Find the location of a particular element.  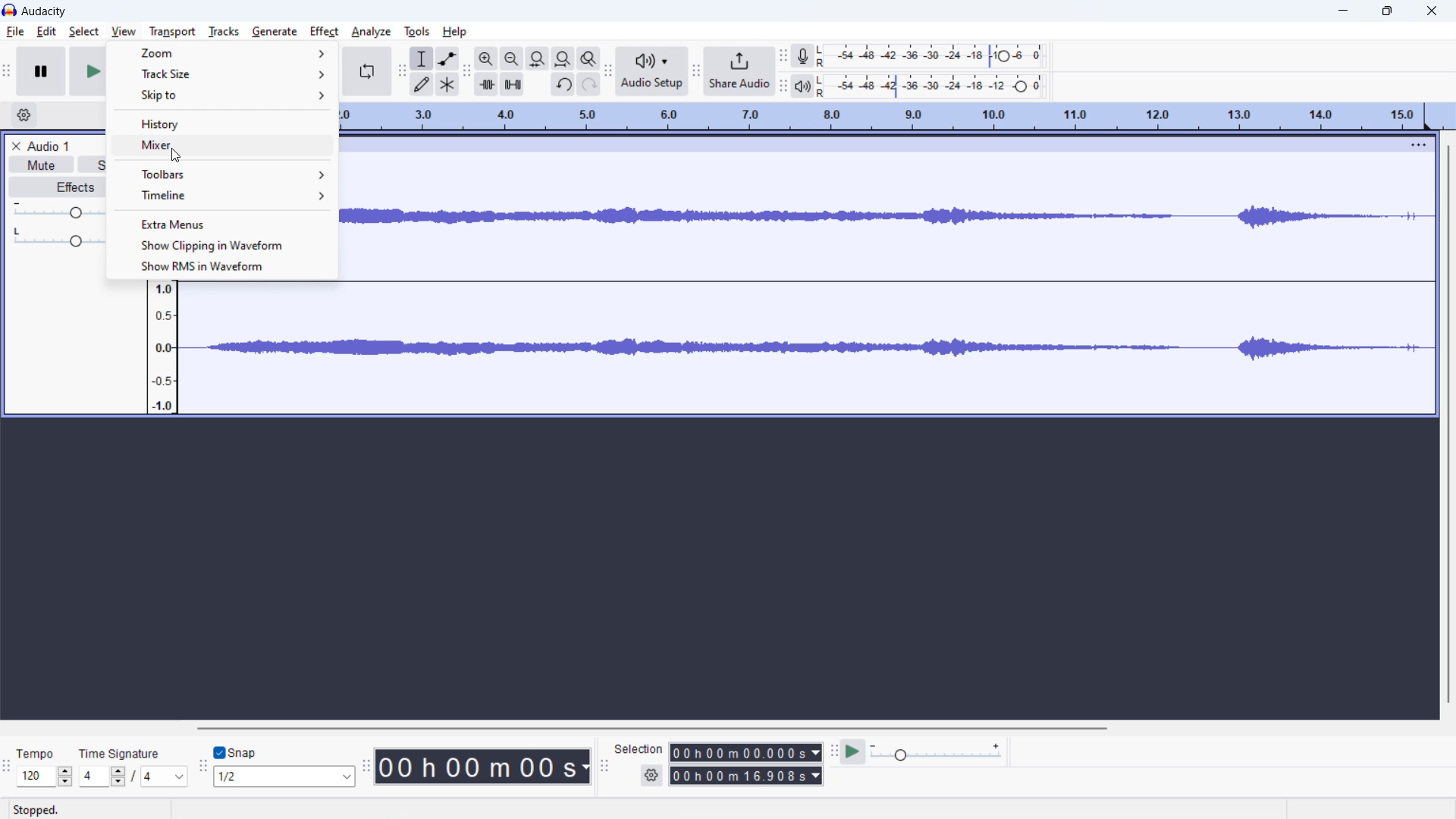

hold to move is located at coordinates (877, 138).